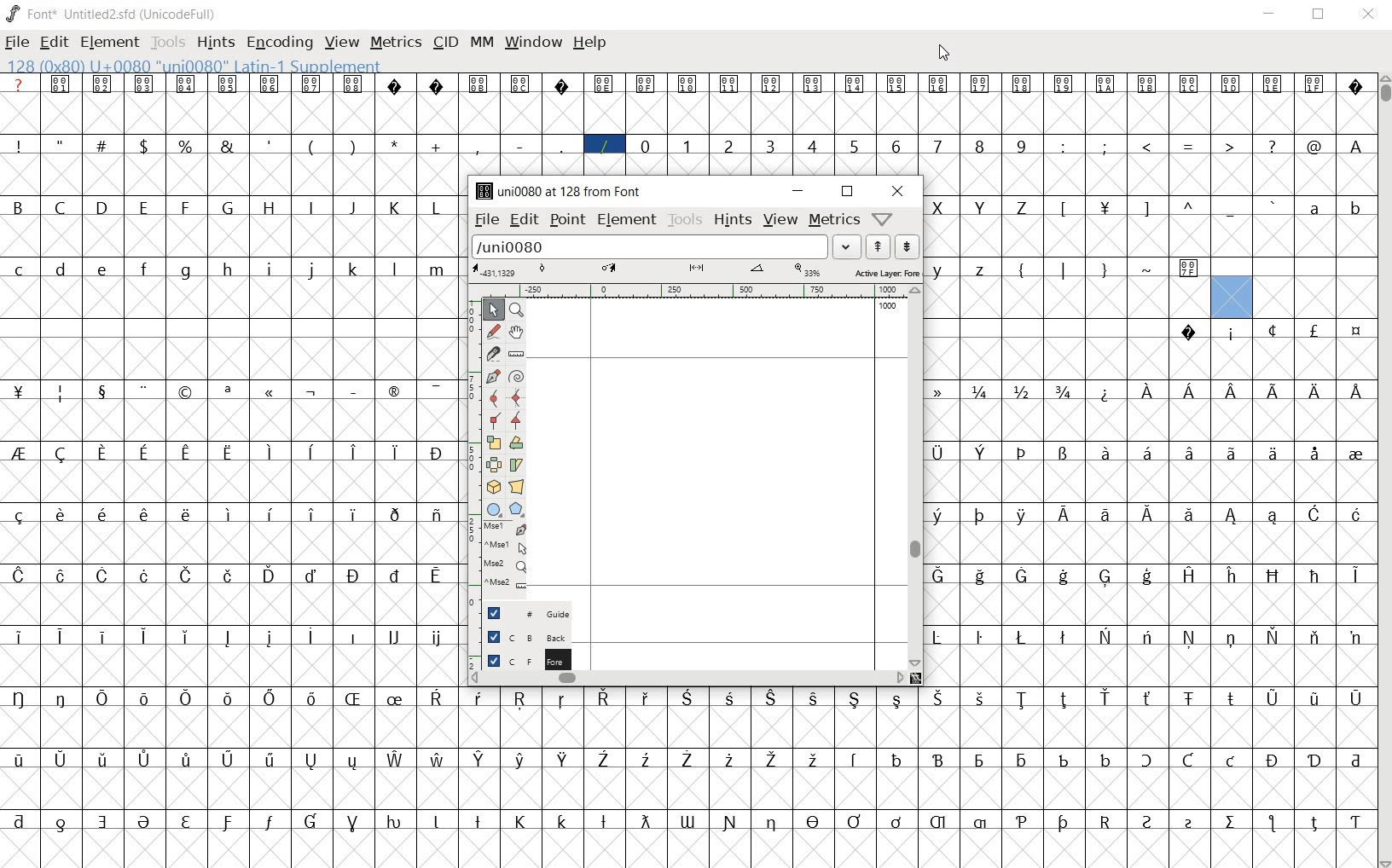  Describe the element at coordinates (352, 208) in the screenshot. I see `glyph` at that location.